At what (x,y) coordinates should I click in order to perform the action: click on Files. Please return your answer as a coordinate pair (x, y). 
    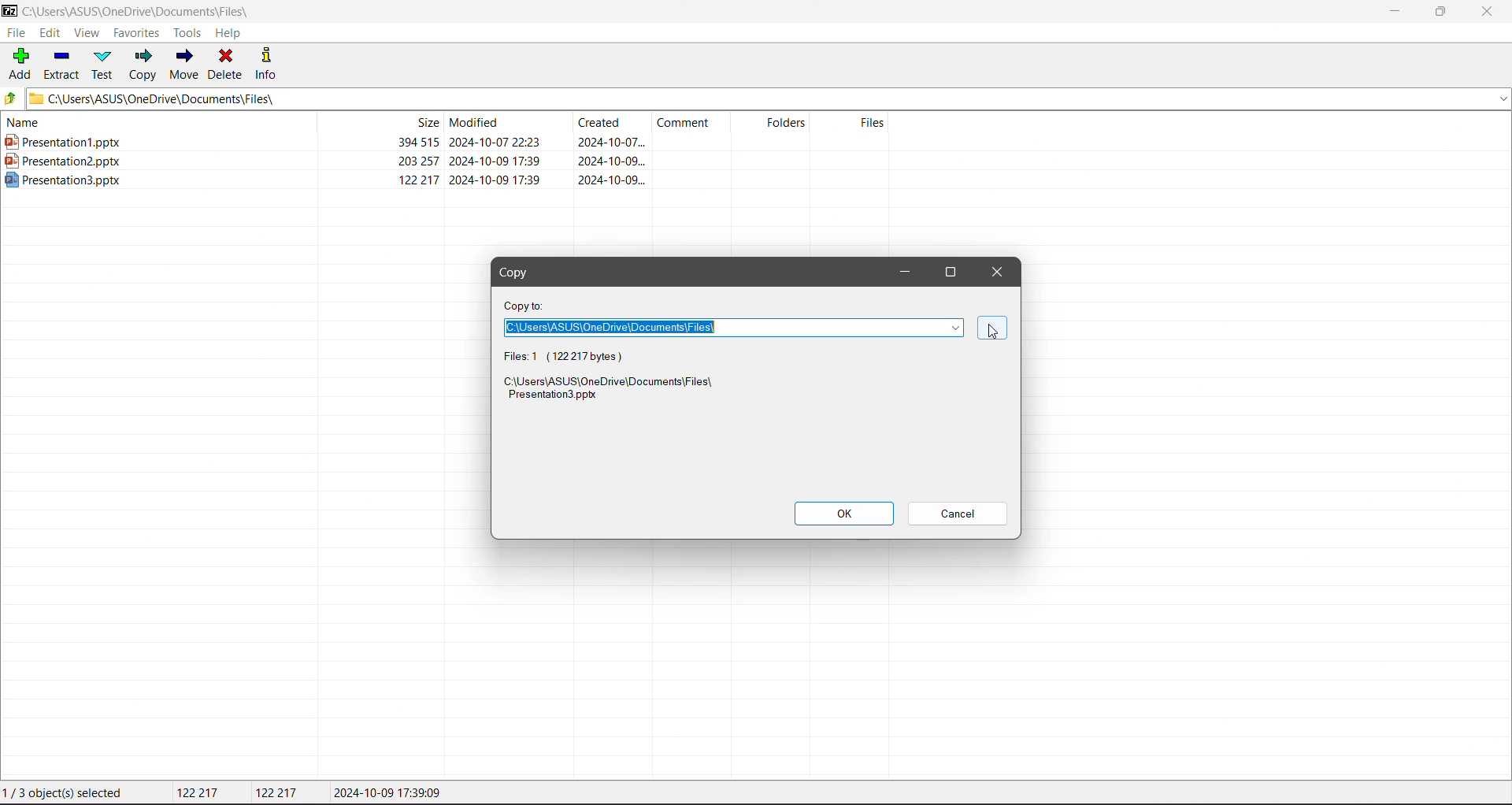
    Looking at the image, I should click on (856, 123).